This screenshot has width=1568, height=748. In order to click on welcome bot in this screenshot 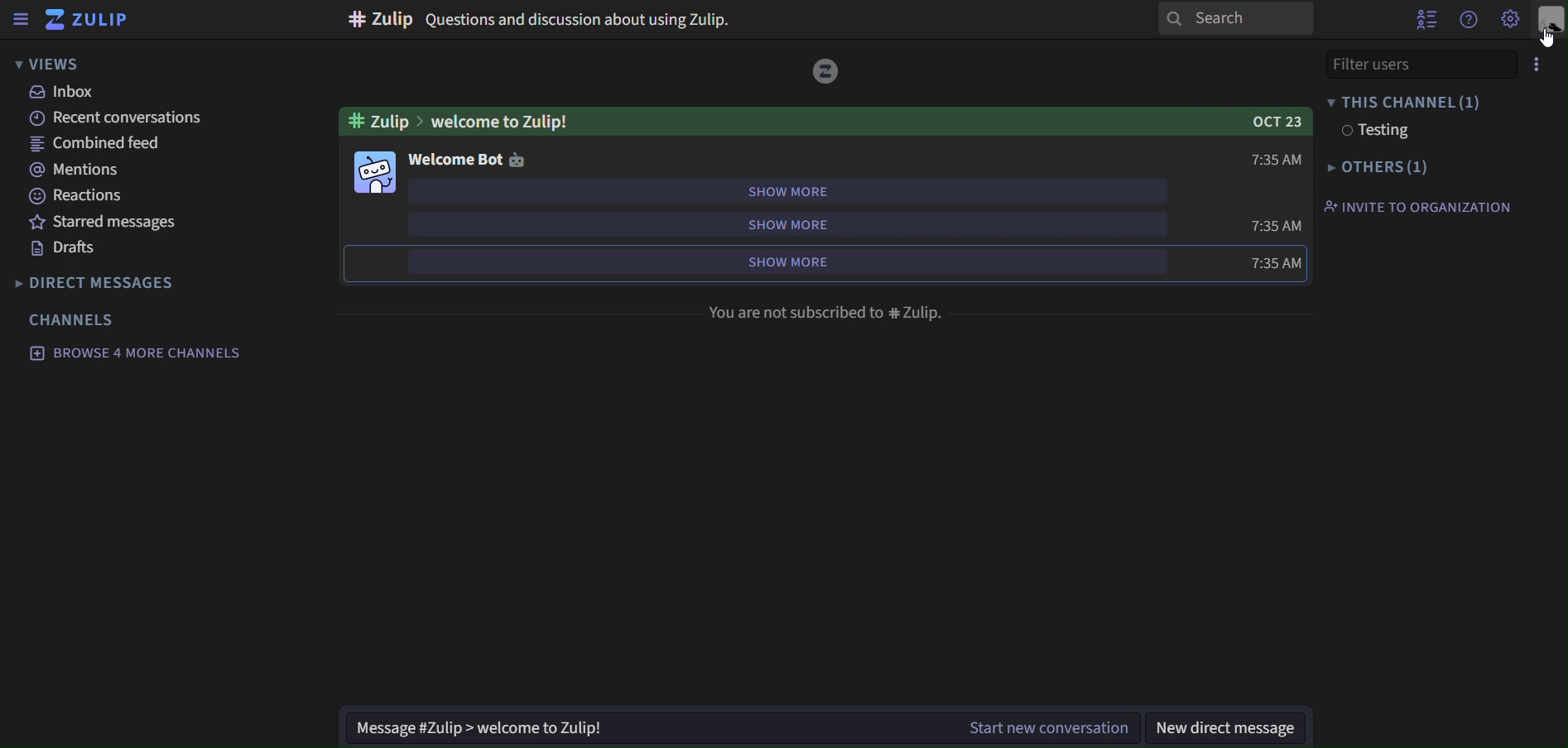, I will do `click(474, 161)`.